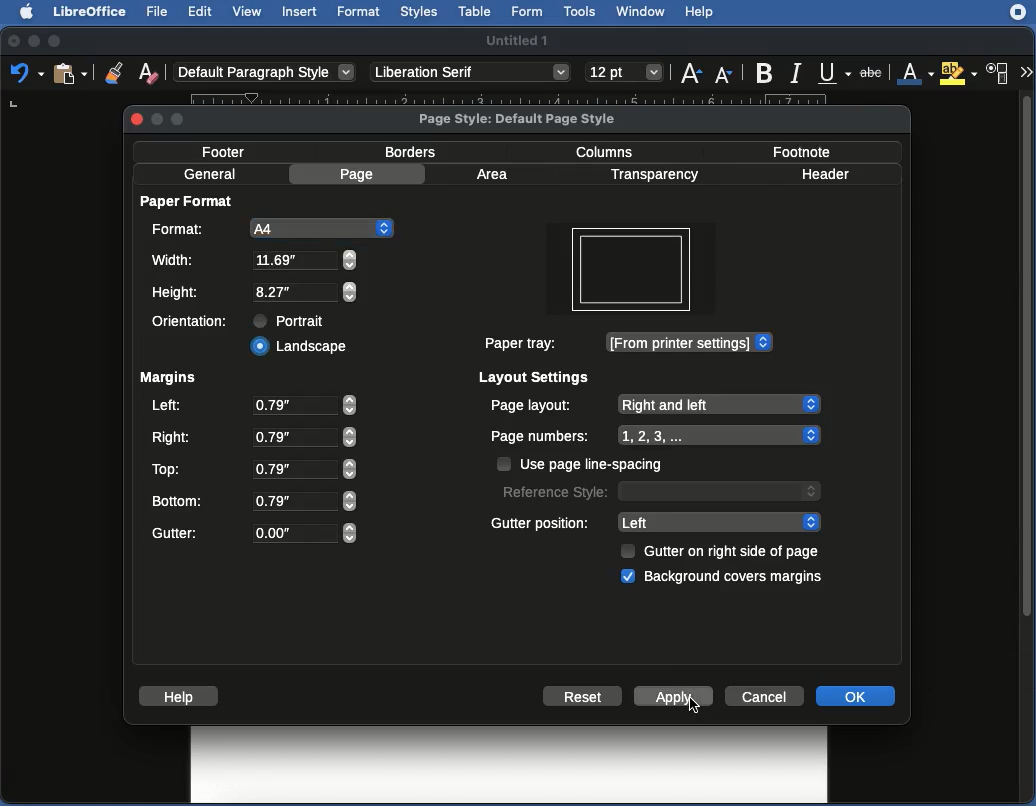  What do you see at coordinates (628, 551) in the screenshot?
I see `checkbox` at bounding box center [628, 551].